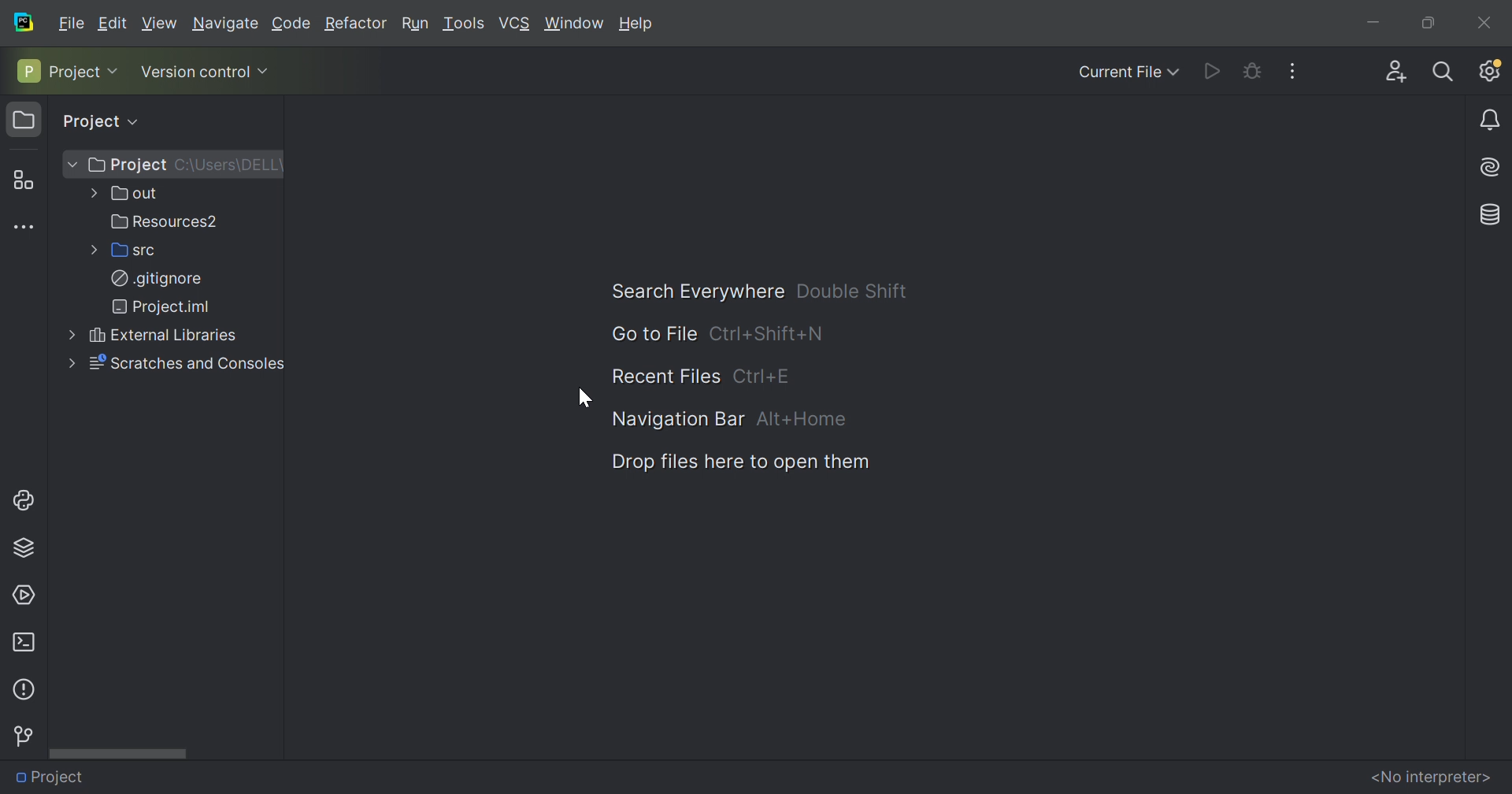  What do you see at coordinates (67, 364) in the screenshot?
I see `More` at bounding box center [67, 364].